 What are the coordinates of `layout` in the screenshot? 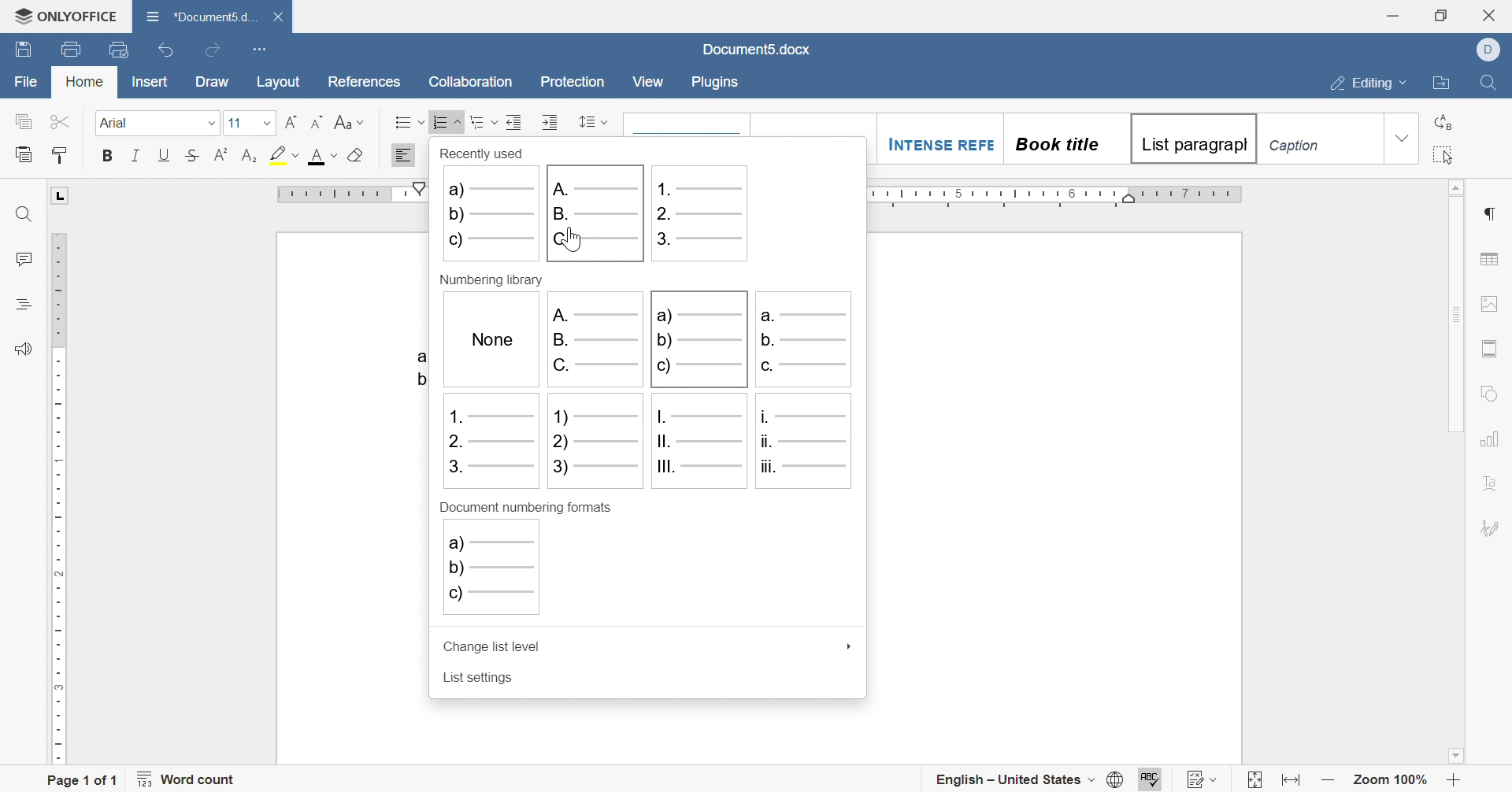 It's located at (278, 82).